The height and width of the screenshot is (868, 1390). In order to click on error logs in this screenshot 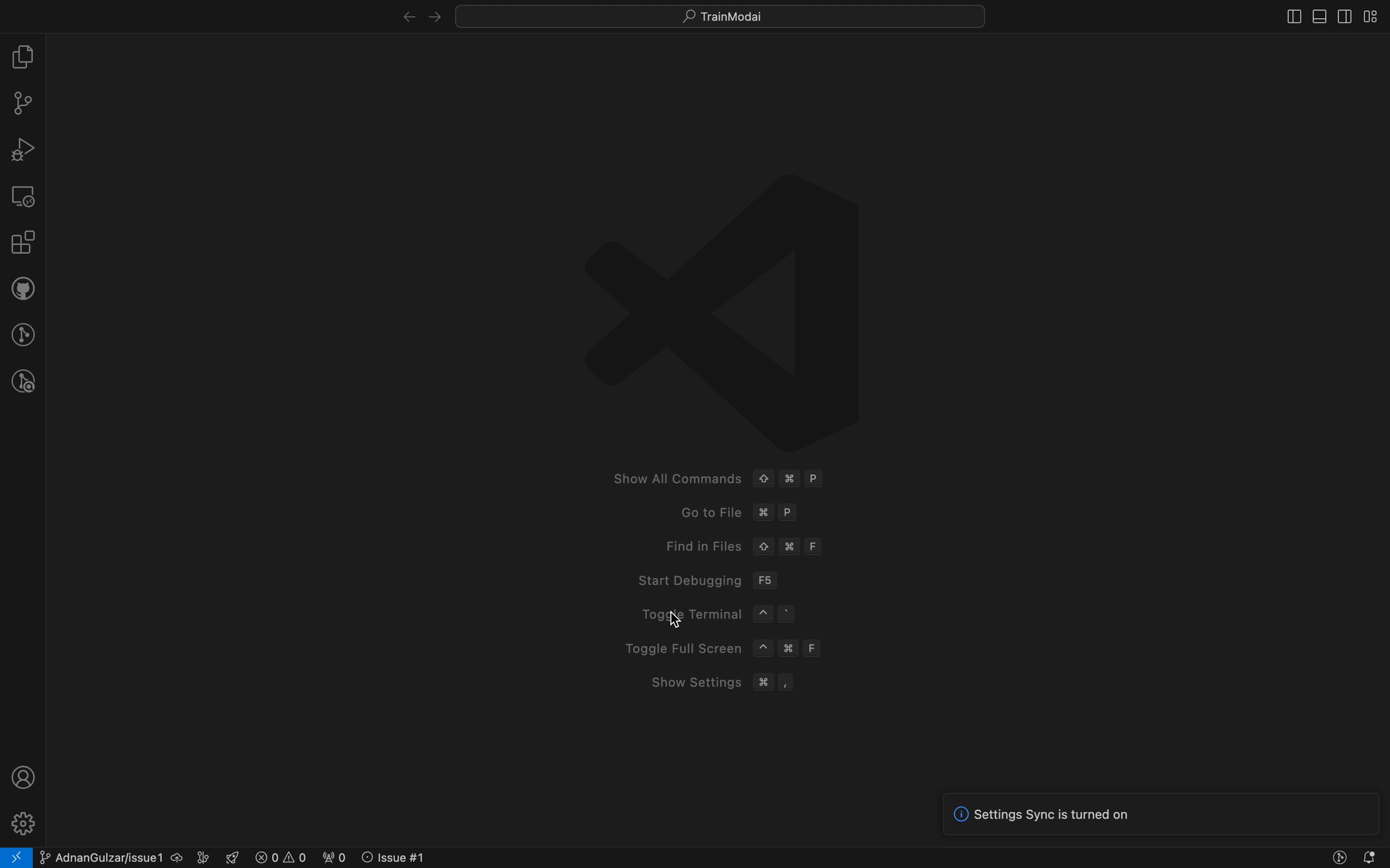, I will do `click(333, 857)`.